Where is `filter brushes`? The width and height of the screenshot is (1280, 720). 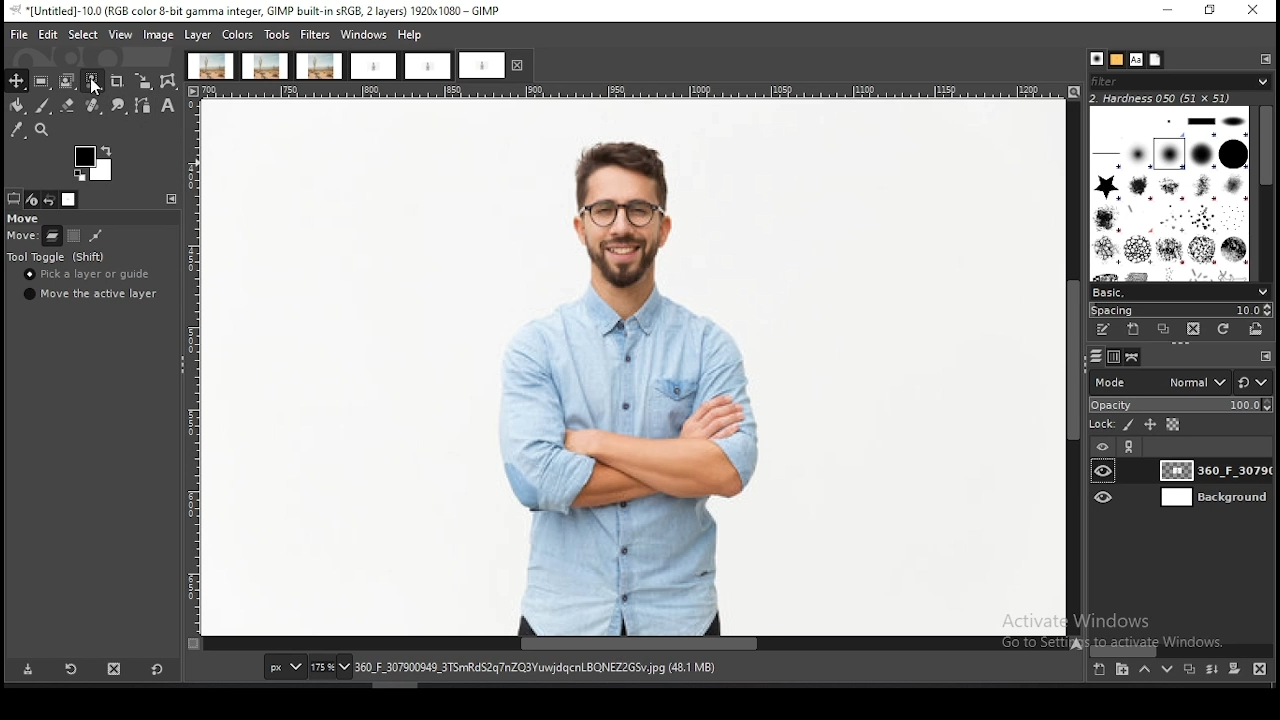
filter brushes is located at coordinates (1180, 82).